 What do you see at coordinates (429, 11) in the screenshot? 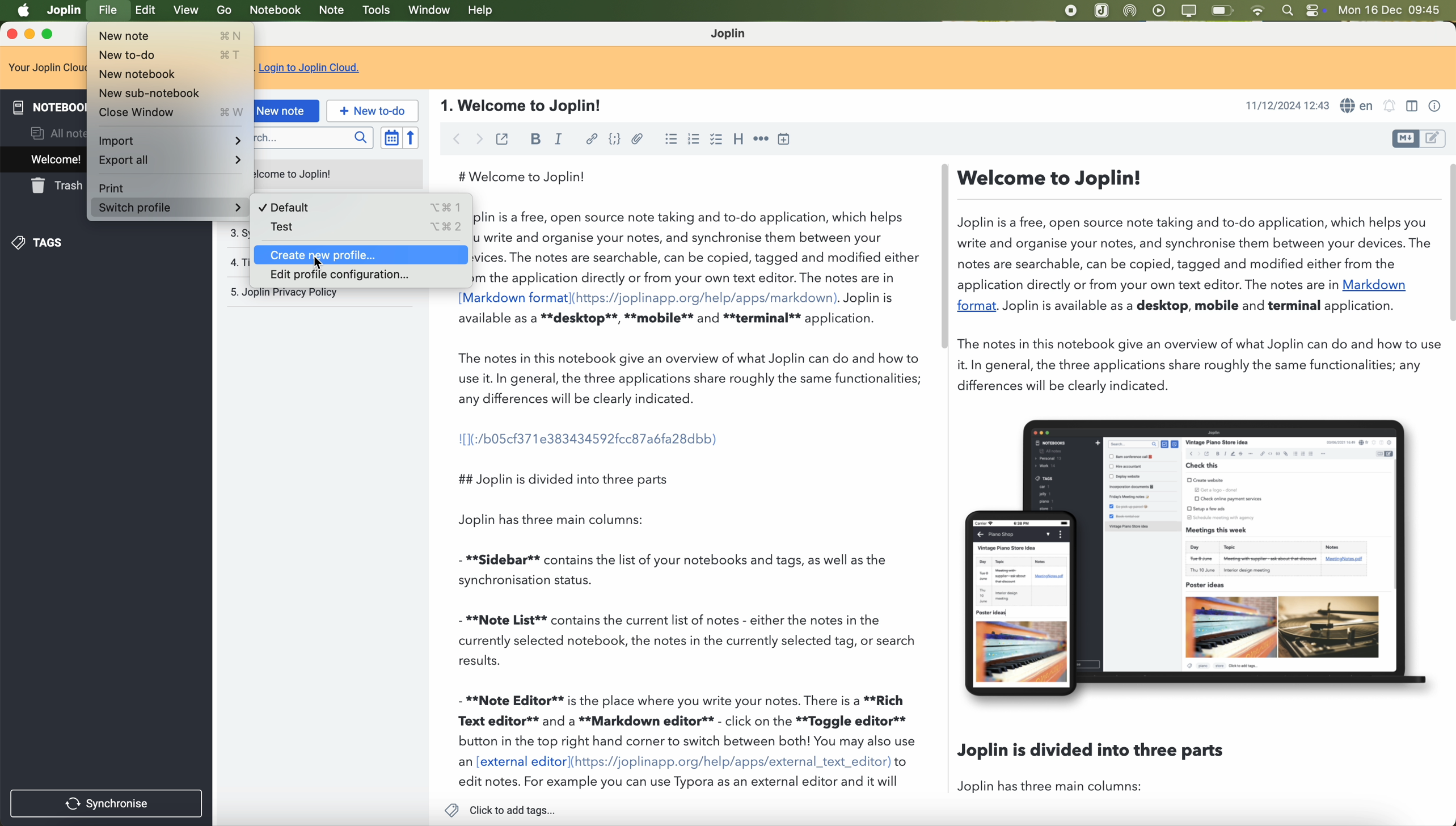
I see `window` at bounding box center [429, 11].